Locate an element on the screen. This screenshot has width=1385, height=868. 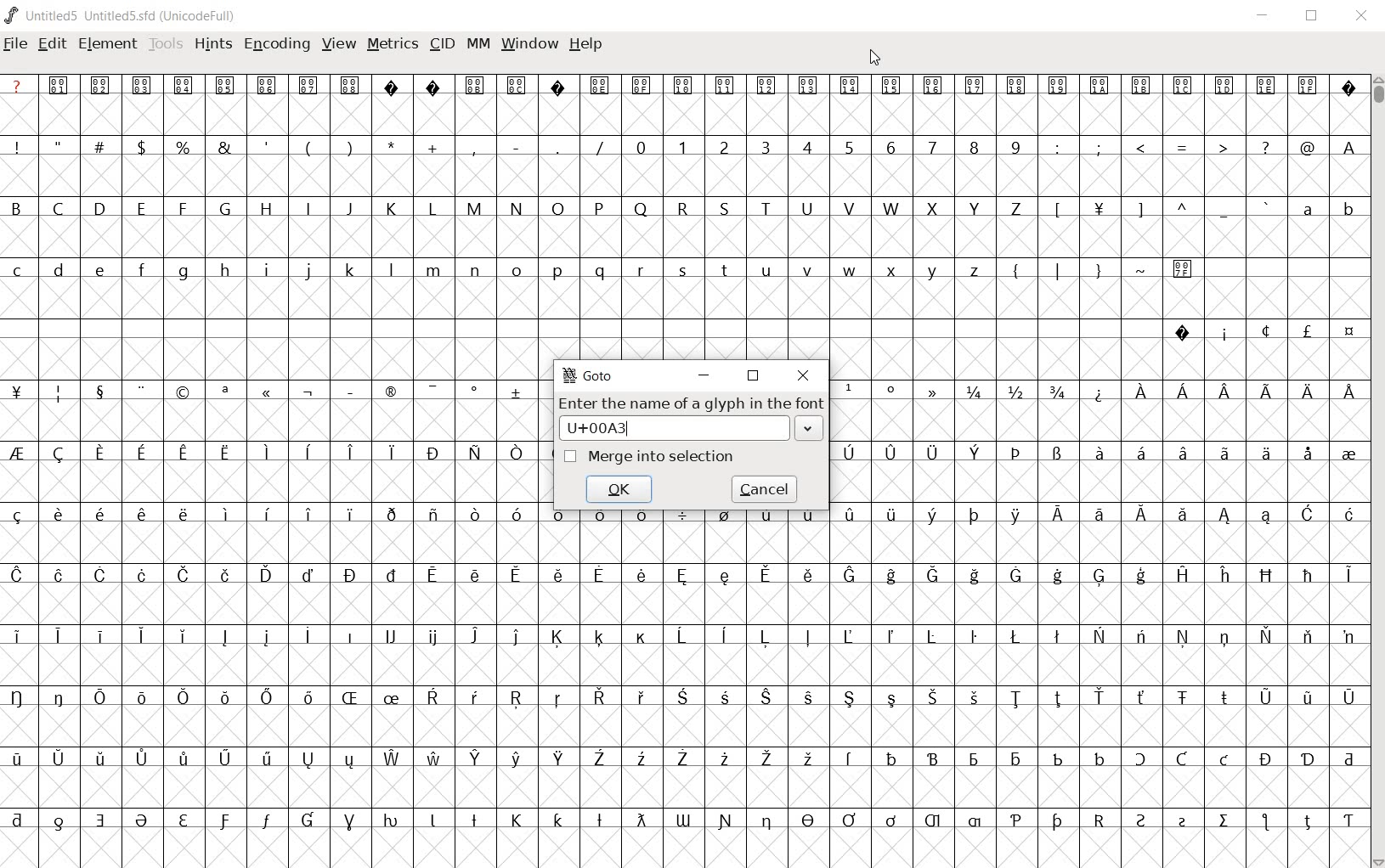
= is located at coordinates (1183, 147).